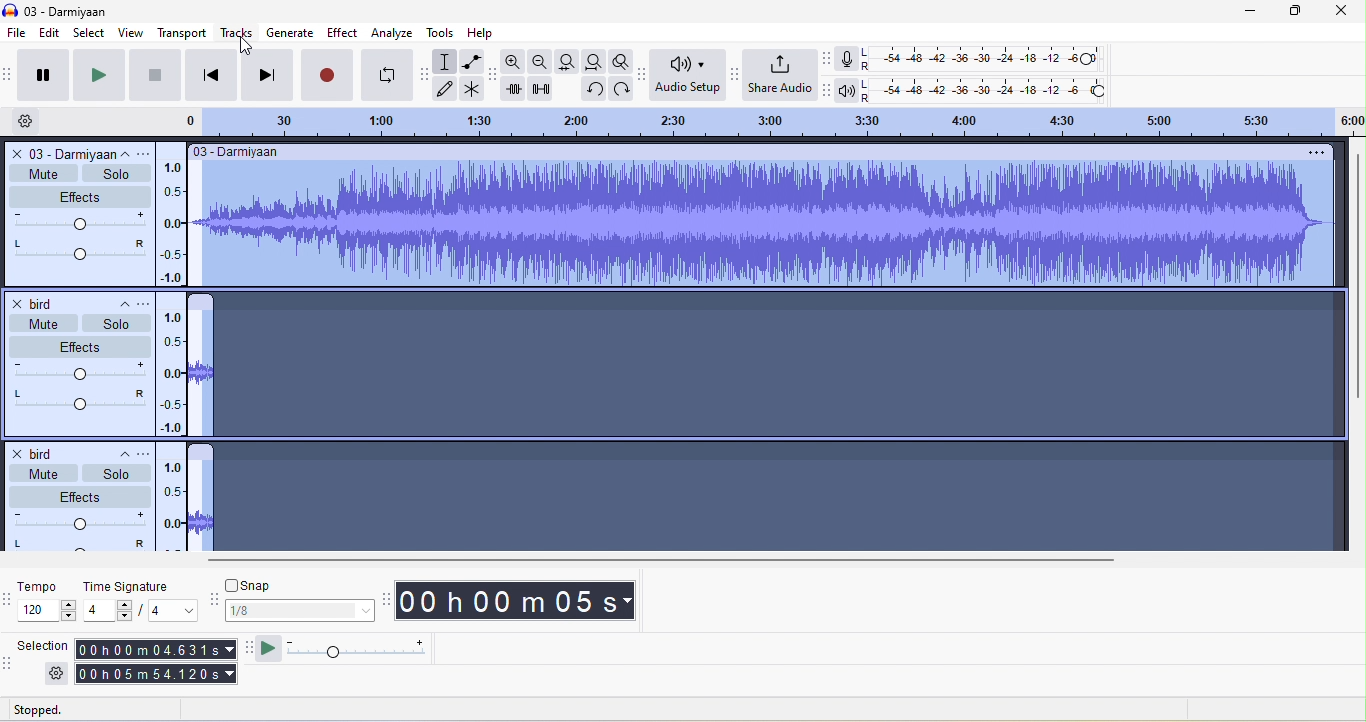  I want to click on solo, so click(116, 174).